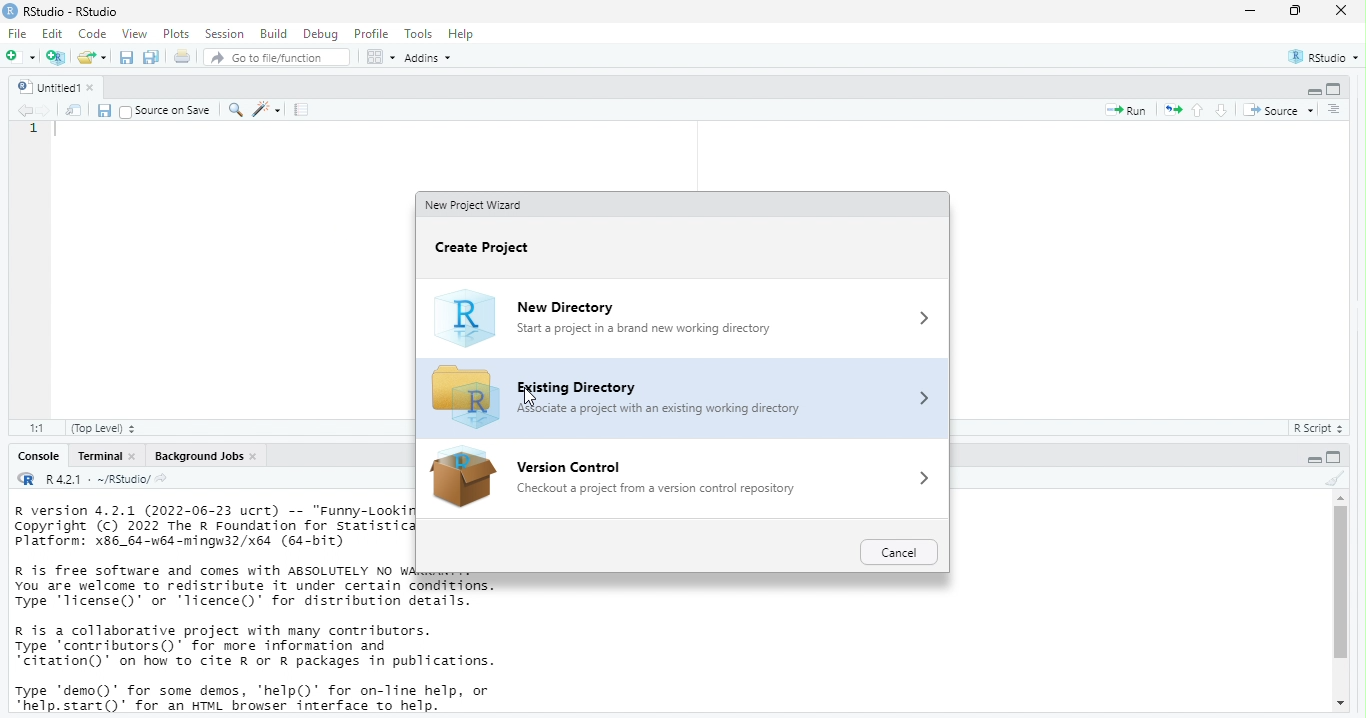 Image resolution: width=1366 pixels, height=718 pixels. Describe the element at coordinates (224, 34) in the screenshot. I see `session` at that location.